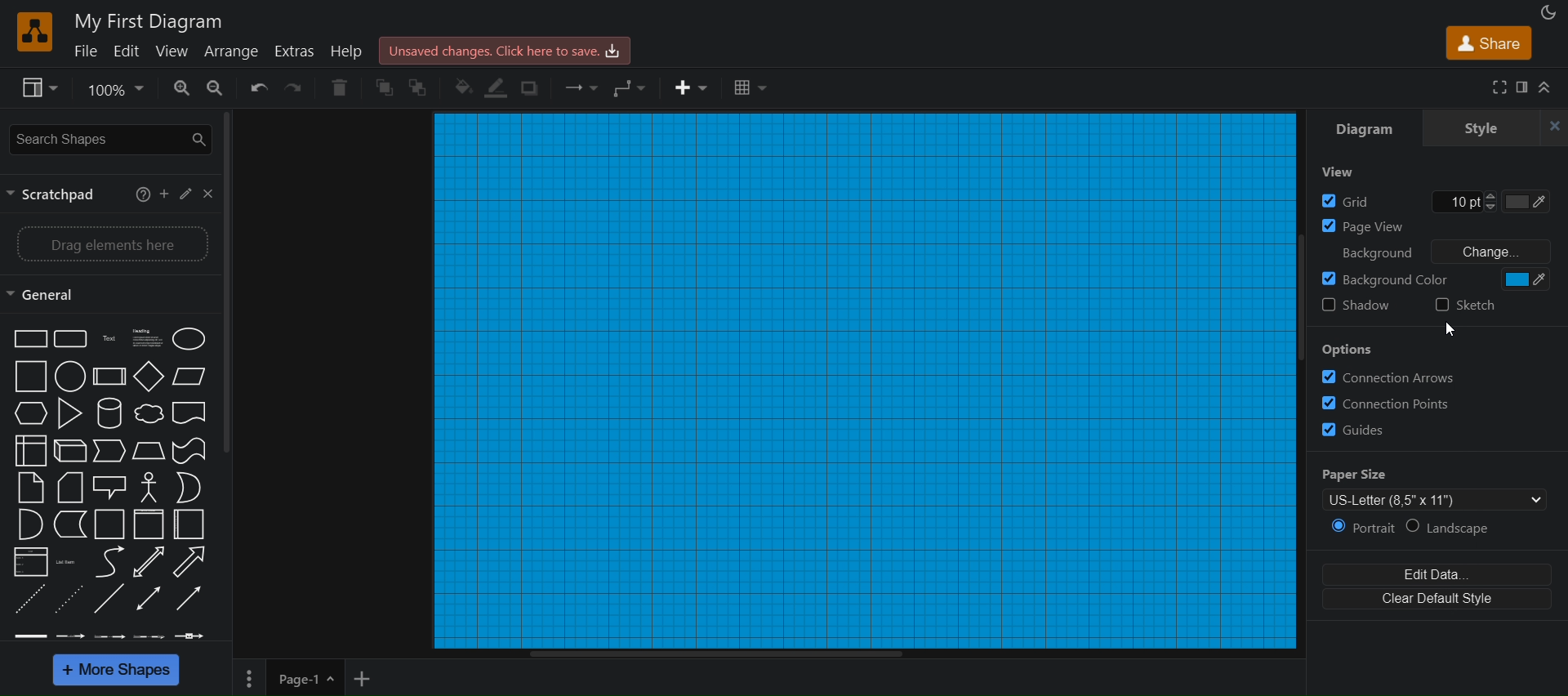  Describe the element at coordinates (35, 30) in the screenshot. I see `logo` at that location.